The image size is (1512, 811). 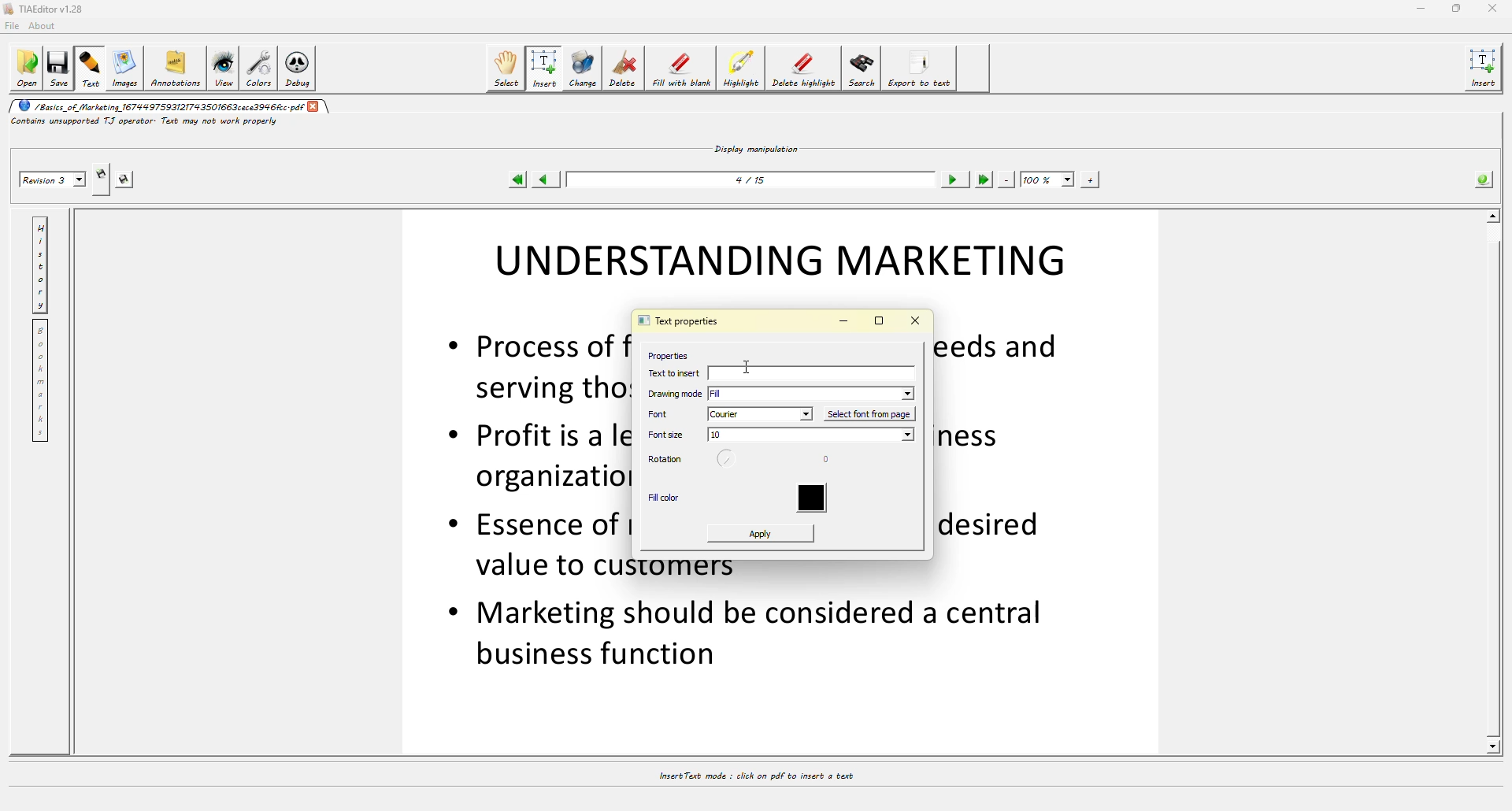 I want to click on colors, so click(x=259, y=67).